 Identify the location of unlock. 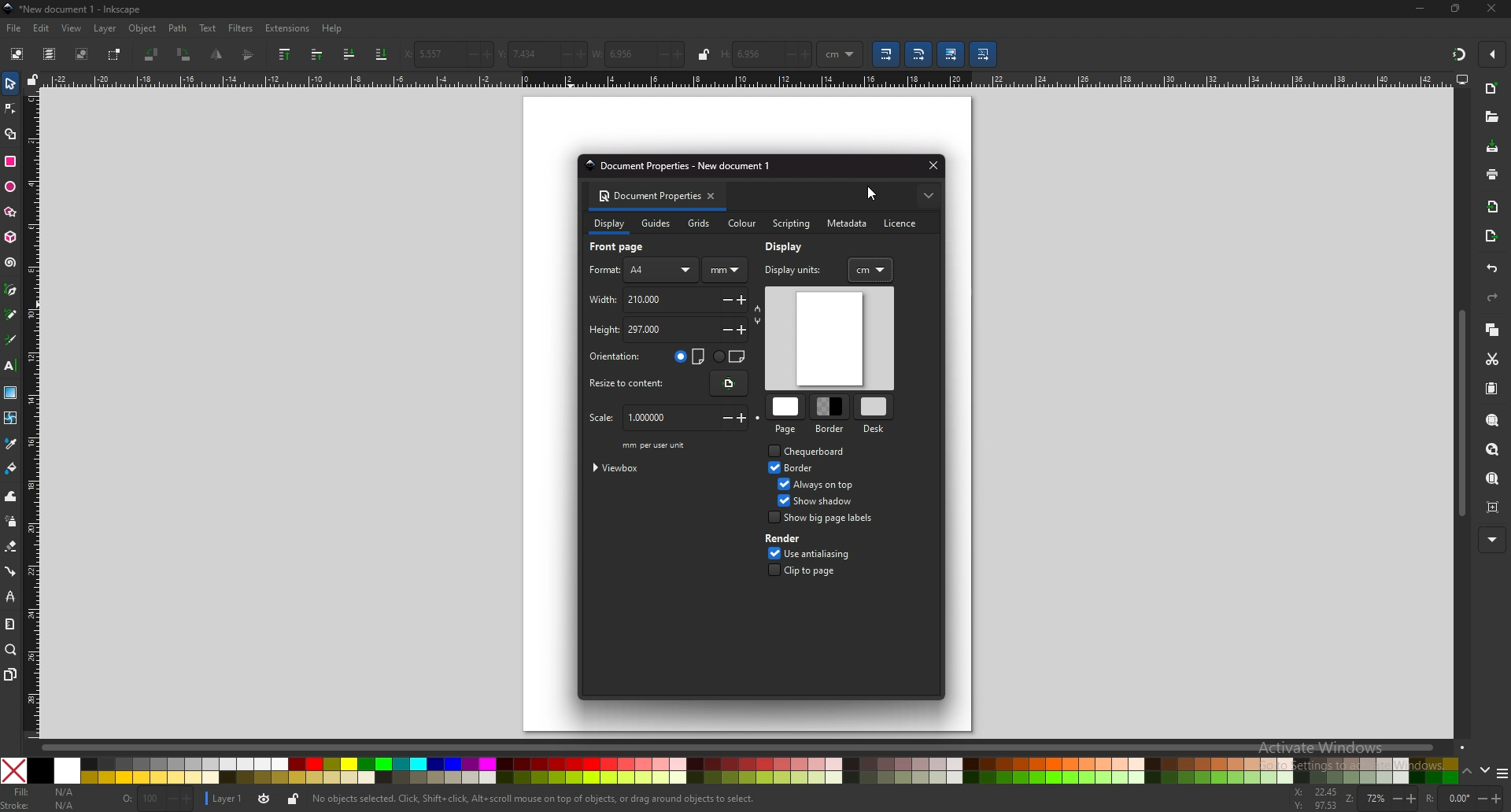
(291, 800).